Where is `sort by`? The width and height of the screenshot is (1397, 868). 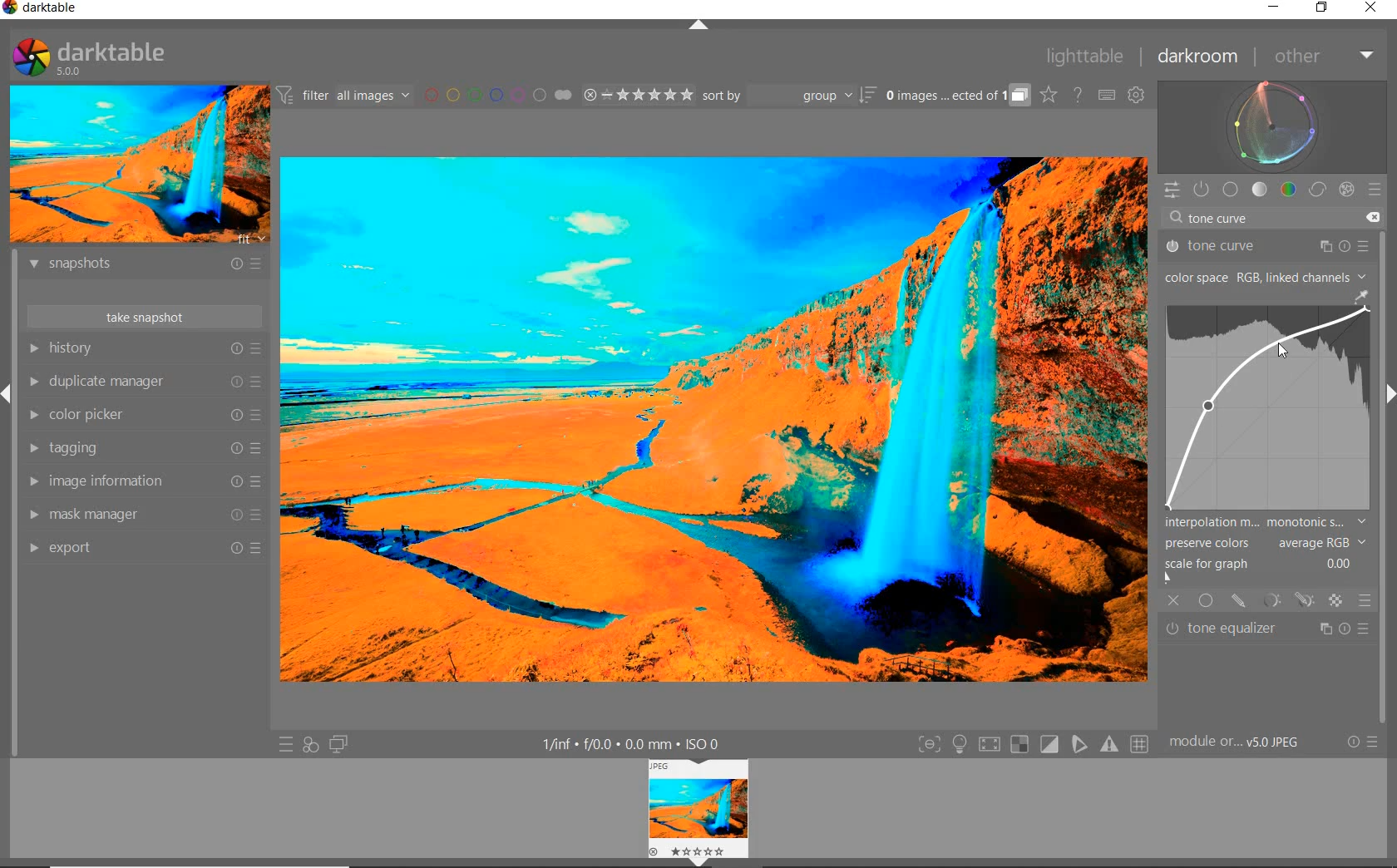
sort by is located at coordinates (789, 95).